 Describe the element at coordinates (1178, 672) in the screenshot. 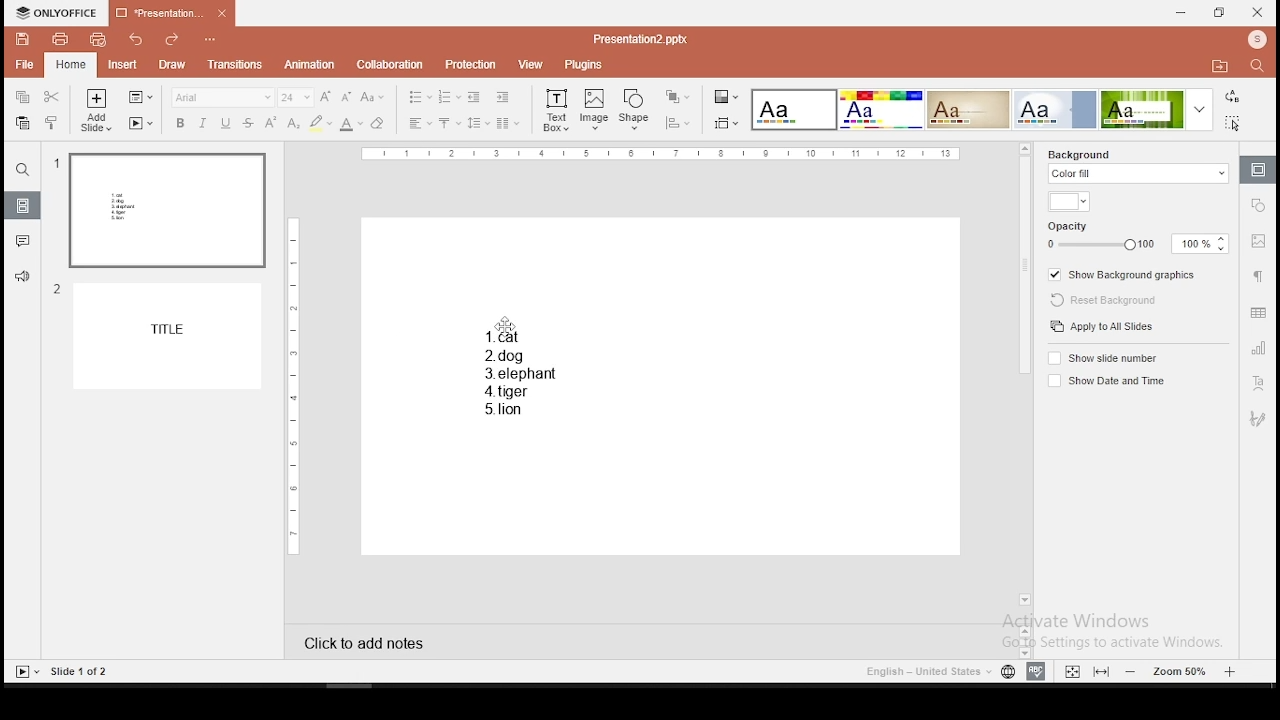

I see `zoom level` at that location.